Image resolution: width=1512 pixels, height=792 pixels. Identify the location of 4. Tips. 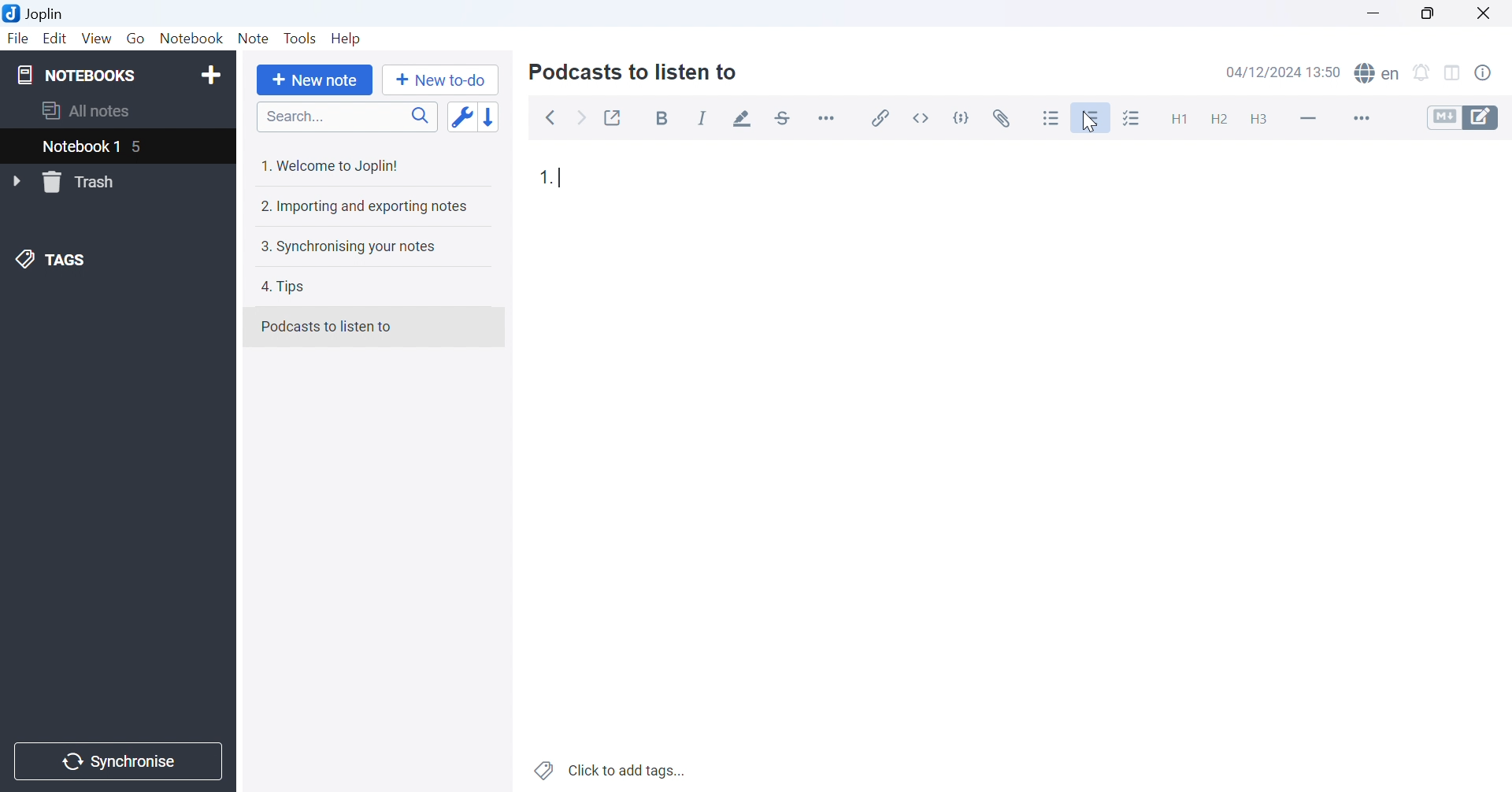
(289, 288).